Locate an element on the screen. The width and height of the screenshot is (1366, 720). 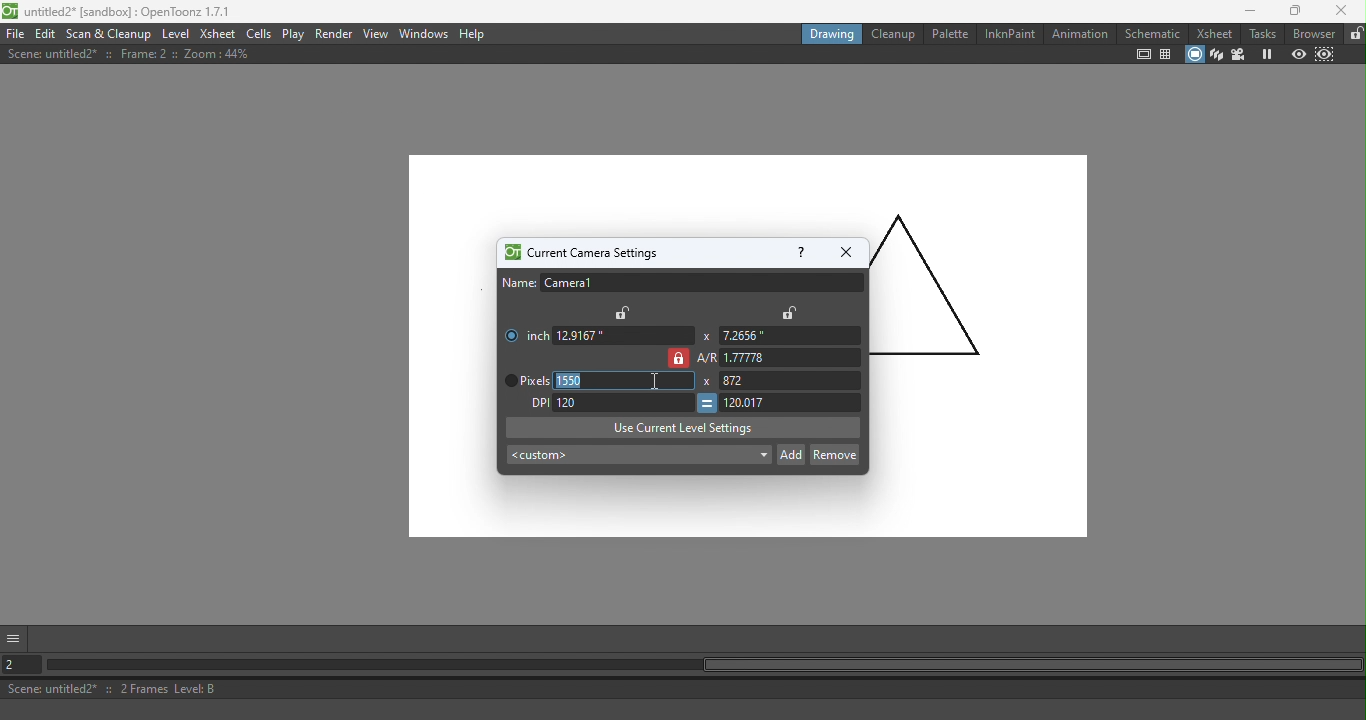
Shematic is located at coordinates (1151, 31).